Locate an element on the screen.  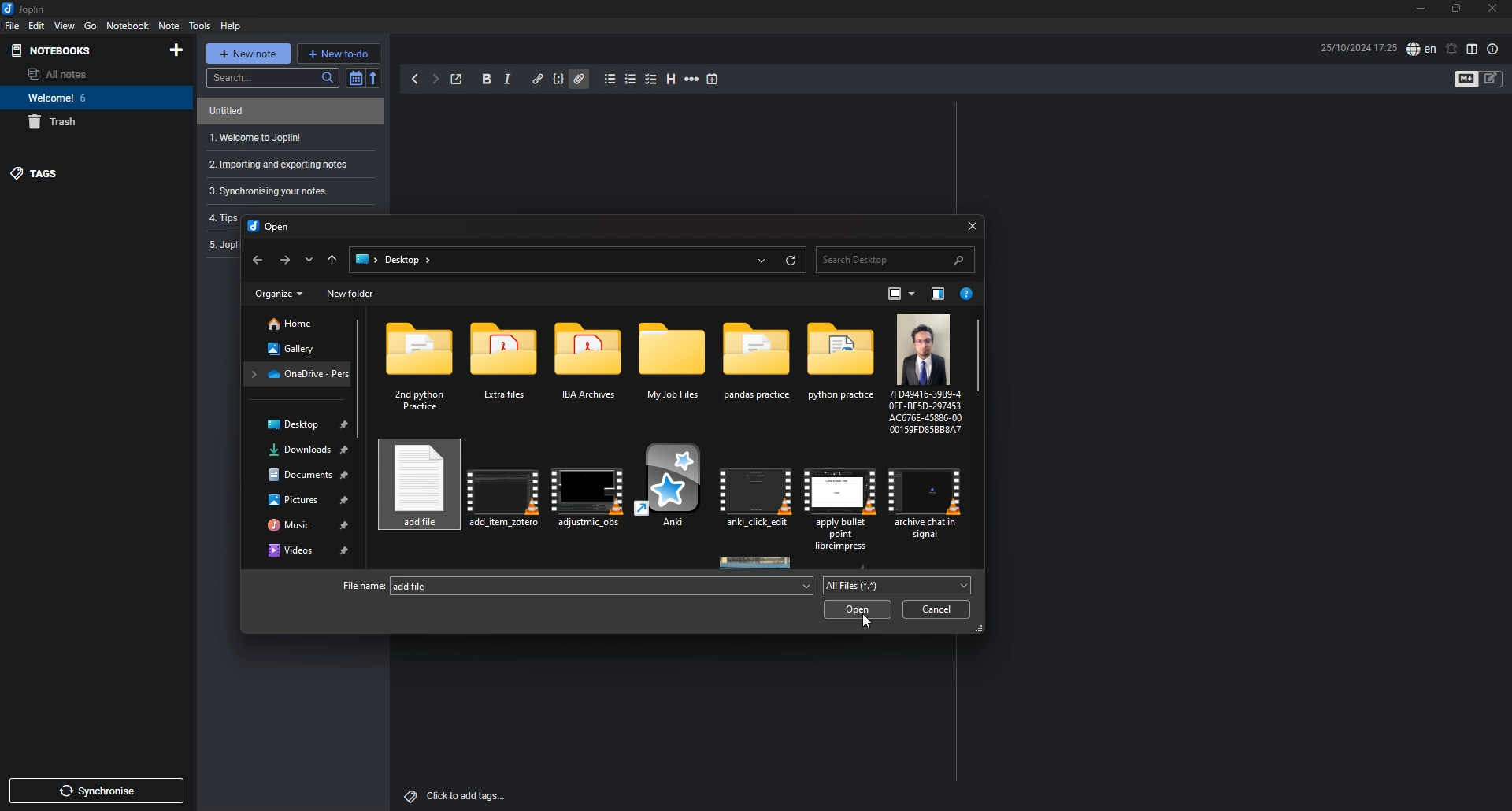
2. Importing and exporting notes is located at coordinates (287, 164).